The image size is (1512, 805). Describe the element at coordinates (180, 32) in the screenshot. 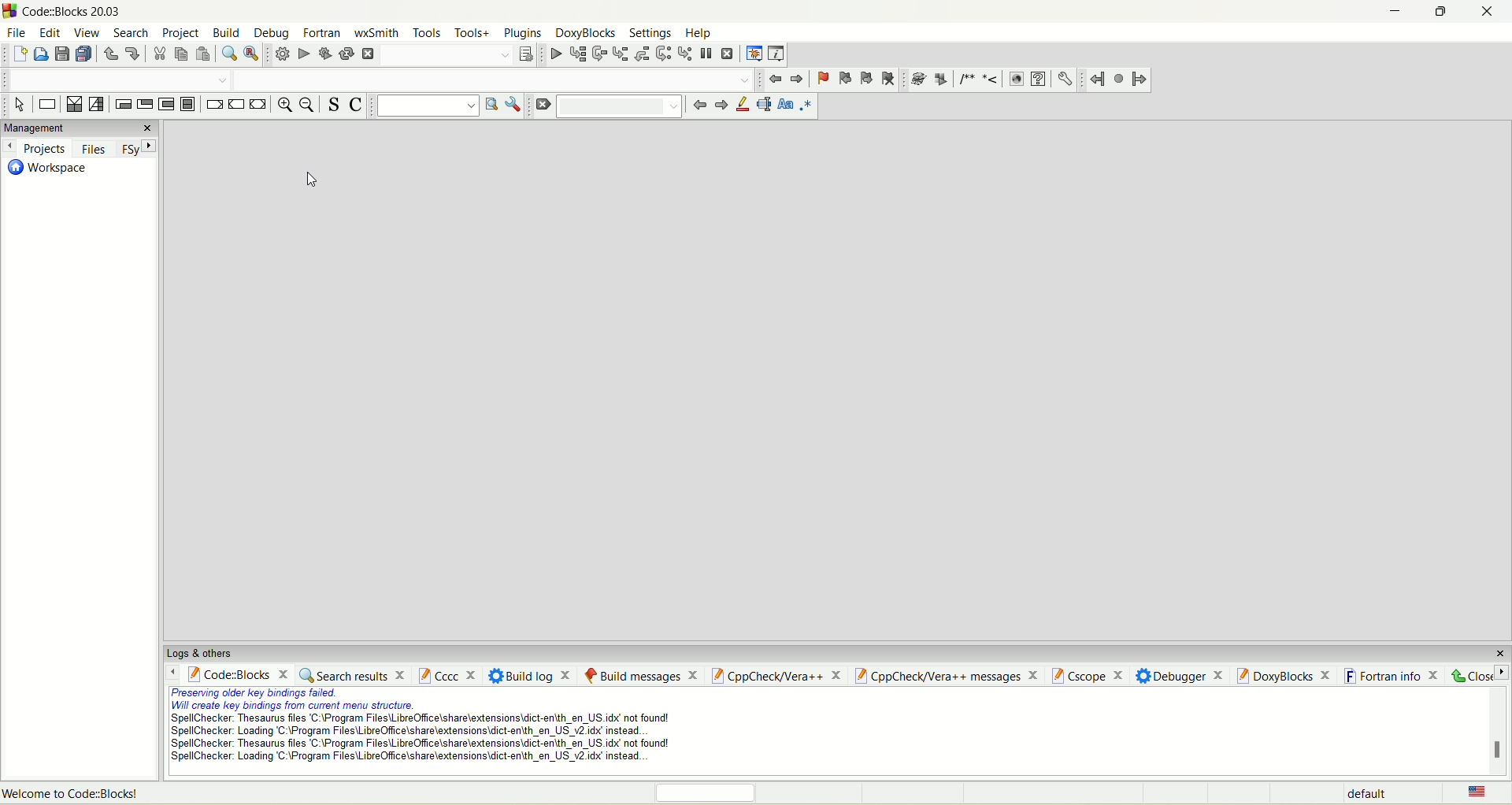

I see `project` at that location.